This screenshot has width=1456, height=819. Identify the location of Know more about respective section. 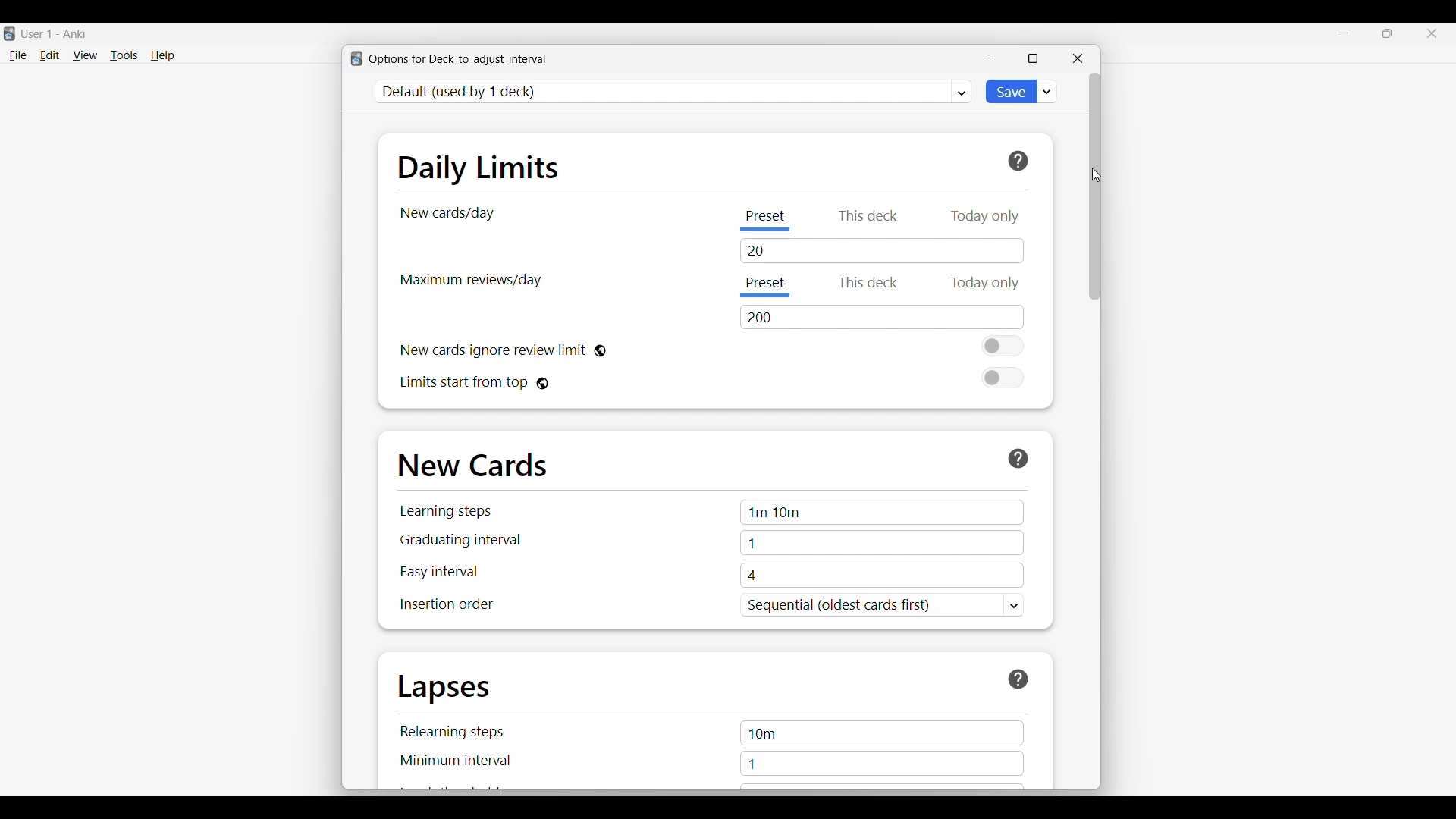
(1018, 459).